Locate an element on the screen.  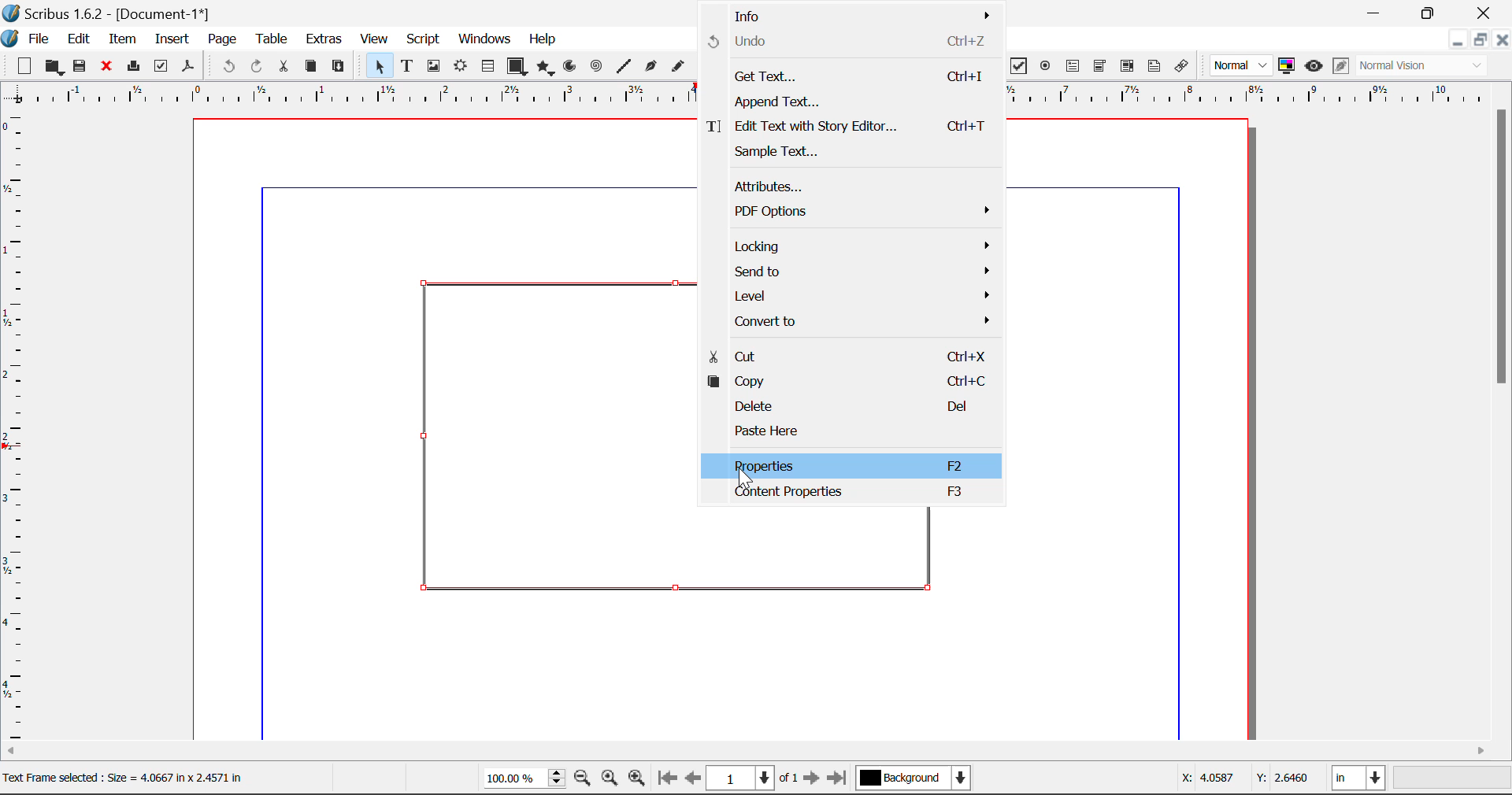
Get Text is located at coordinates (852, 76).